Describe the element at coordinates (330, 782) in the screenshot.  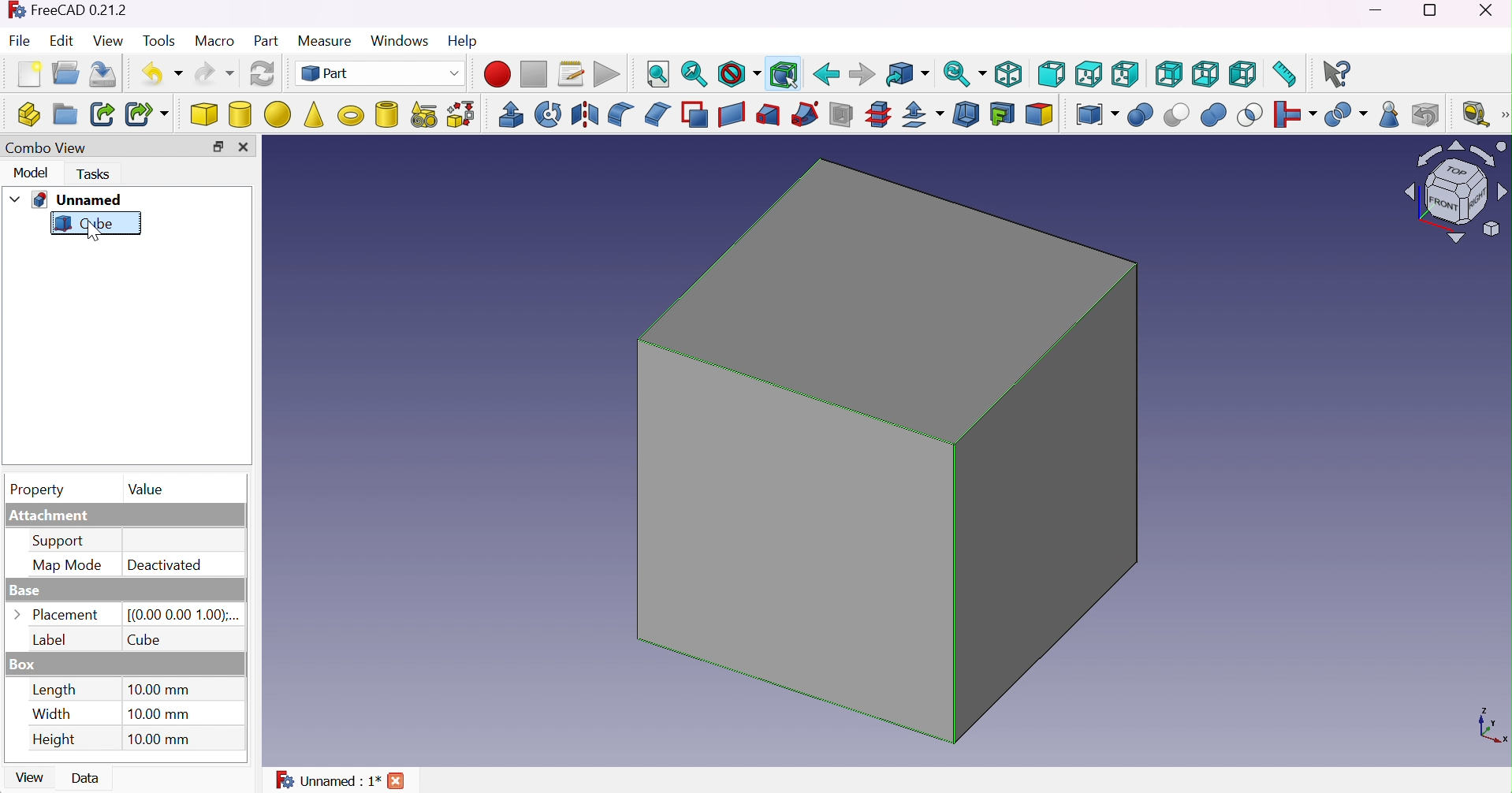
I see `Unnamed : 1*` at that location.